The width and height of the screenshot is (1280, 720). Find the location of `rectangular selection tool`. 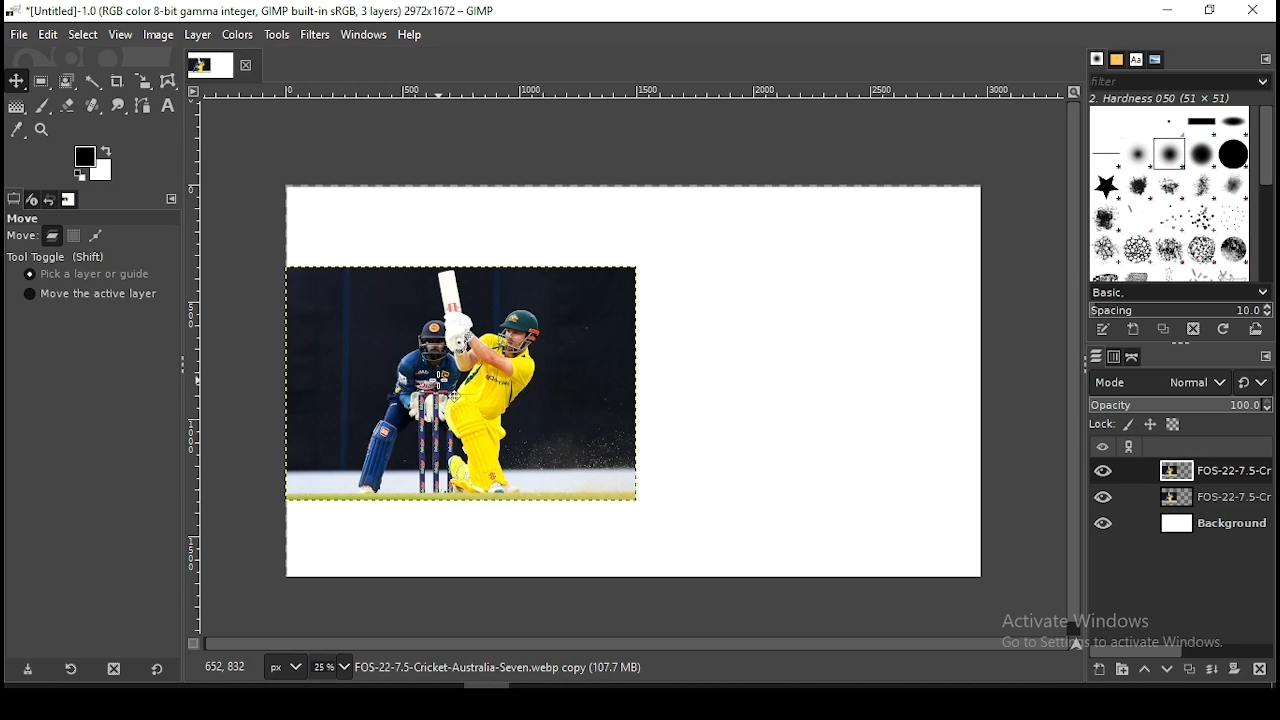

rectangular selection tool is located at coordinates (40, 81).